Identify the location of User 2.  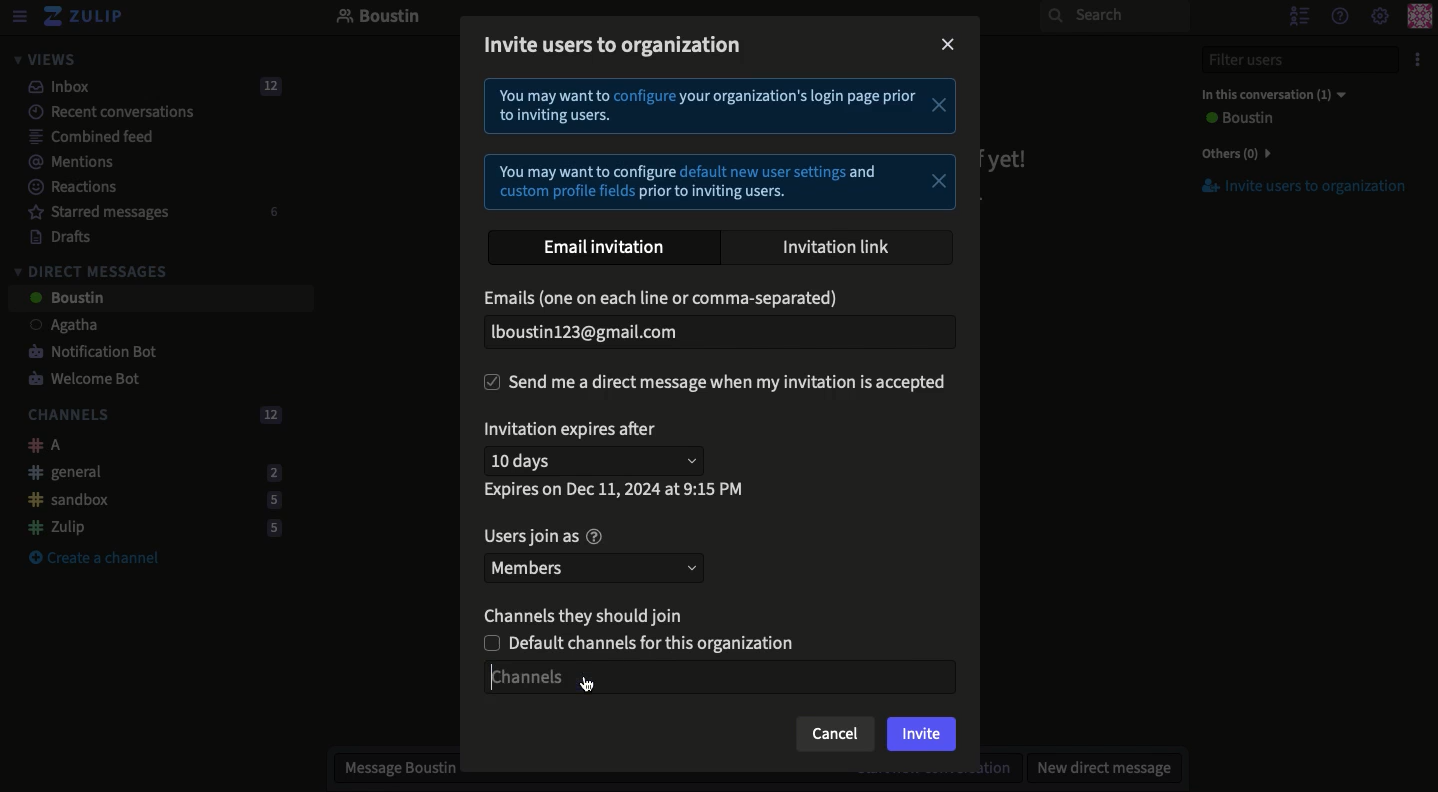
(65, 299).